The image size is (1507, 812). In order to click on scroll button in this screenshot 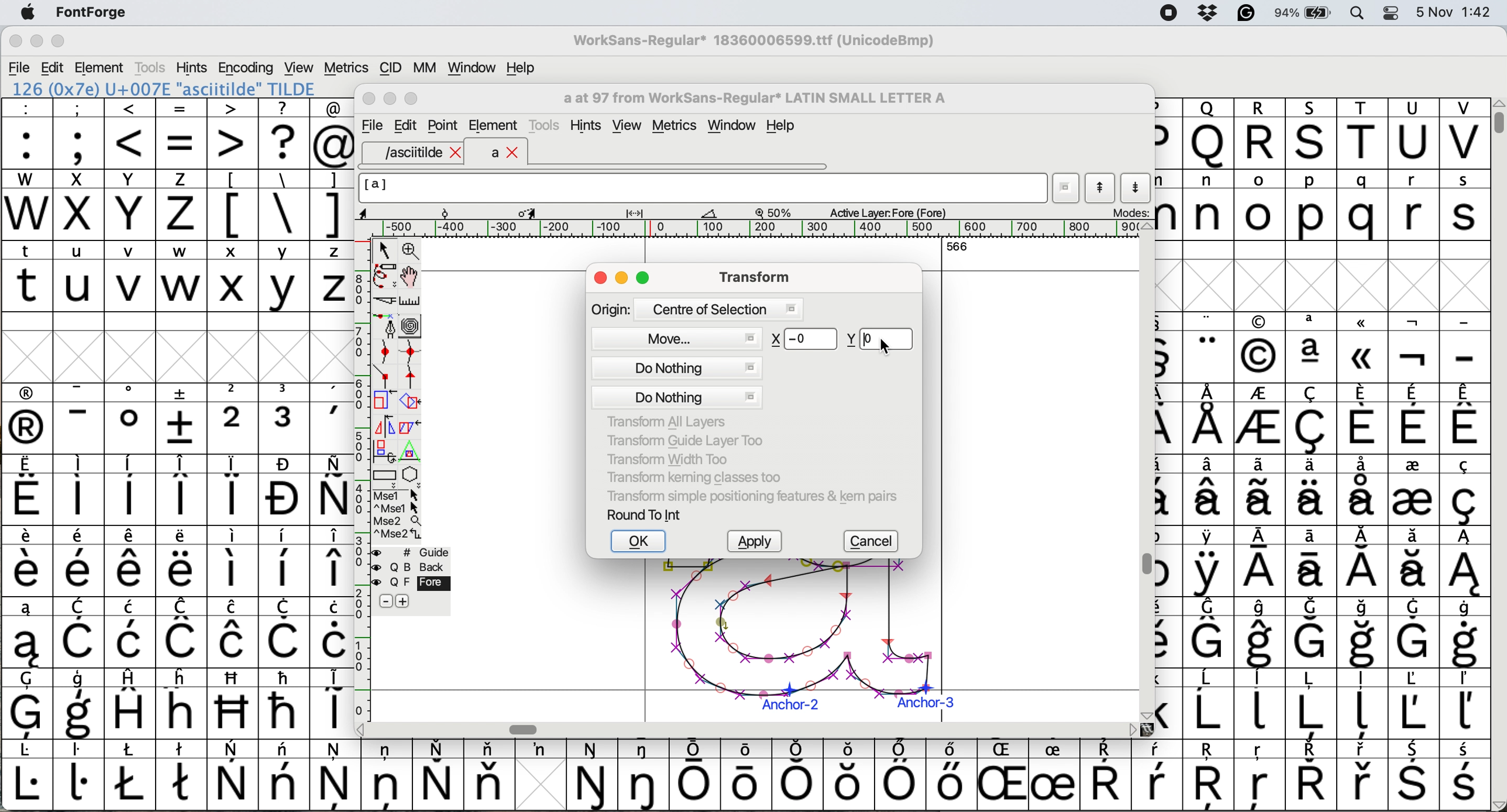, I will do `click(1145, 714)`.